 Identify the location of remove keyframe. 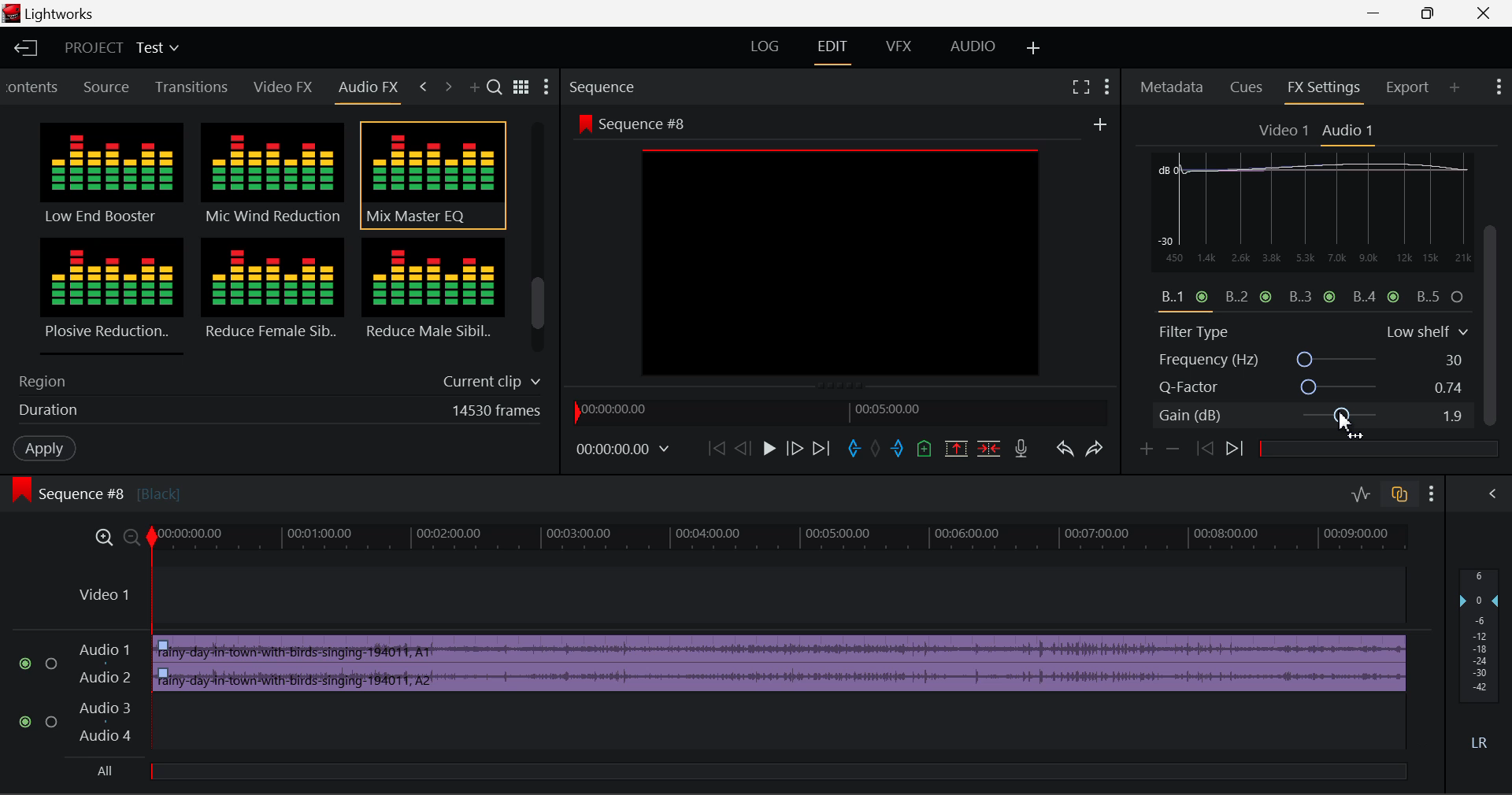
(1177, 449).